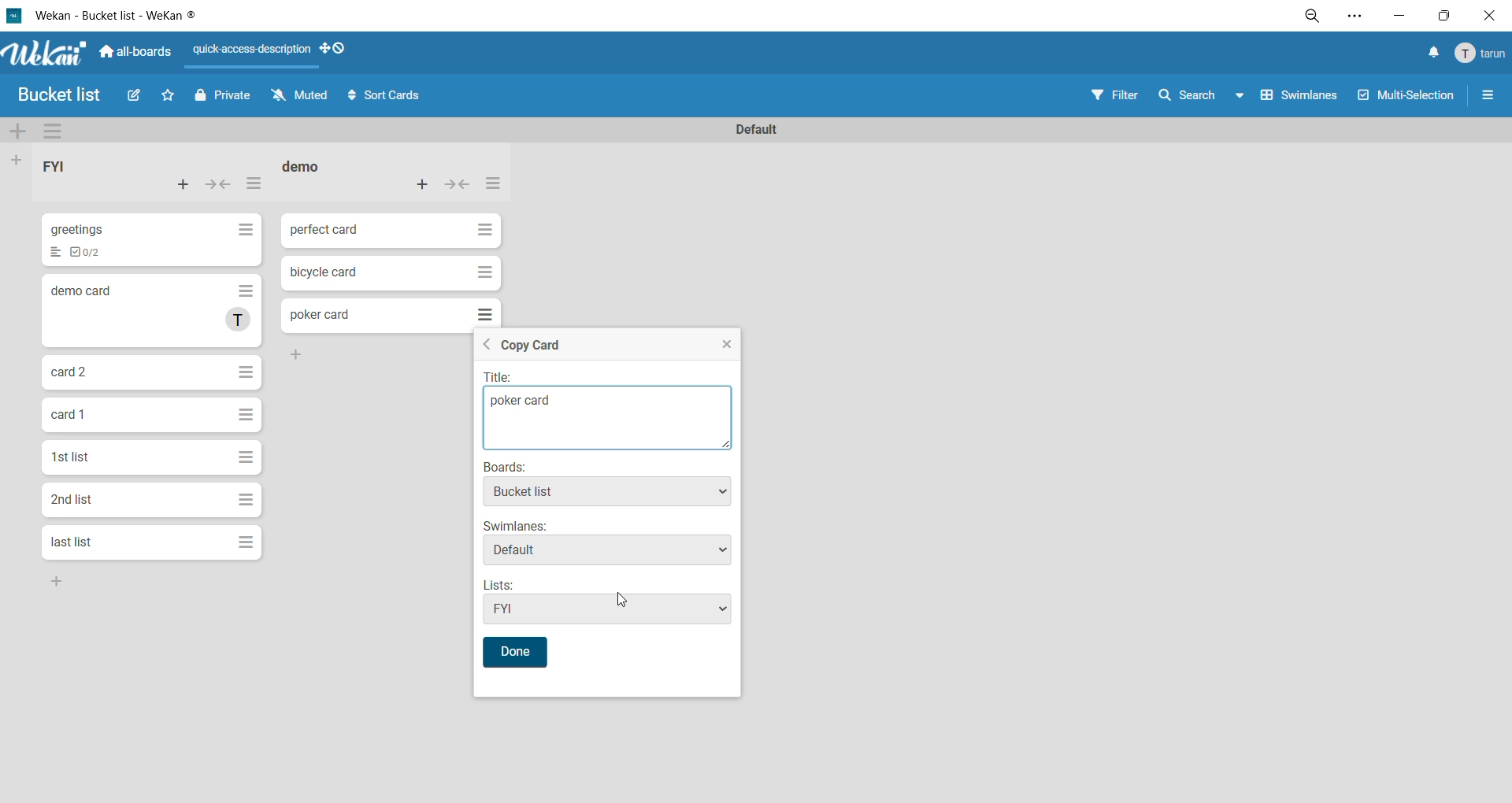 The height and width of the screenshot is (803, 1512). What do you see at coordinates (424, 183) in the screenshot?
I see `add card` at bounding box center [424, 183].